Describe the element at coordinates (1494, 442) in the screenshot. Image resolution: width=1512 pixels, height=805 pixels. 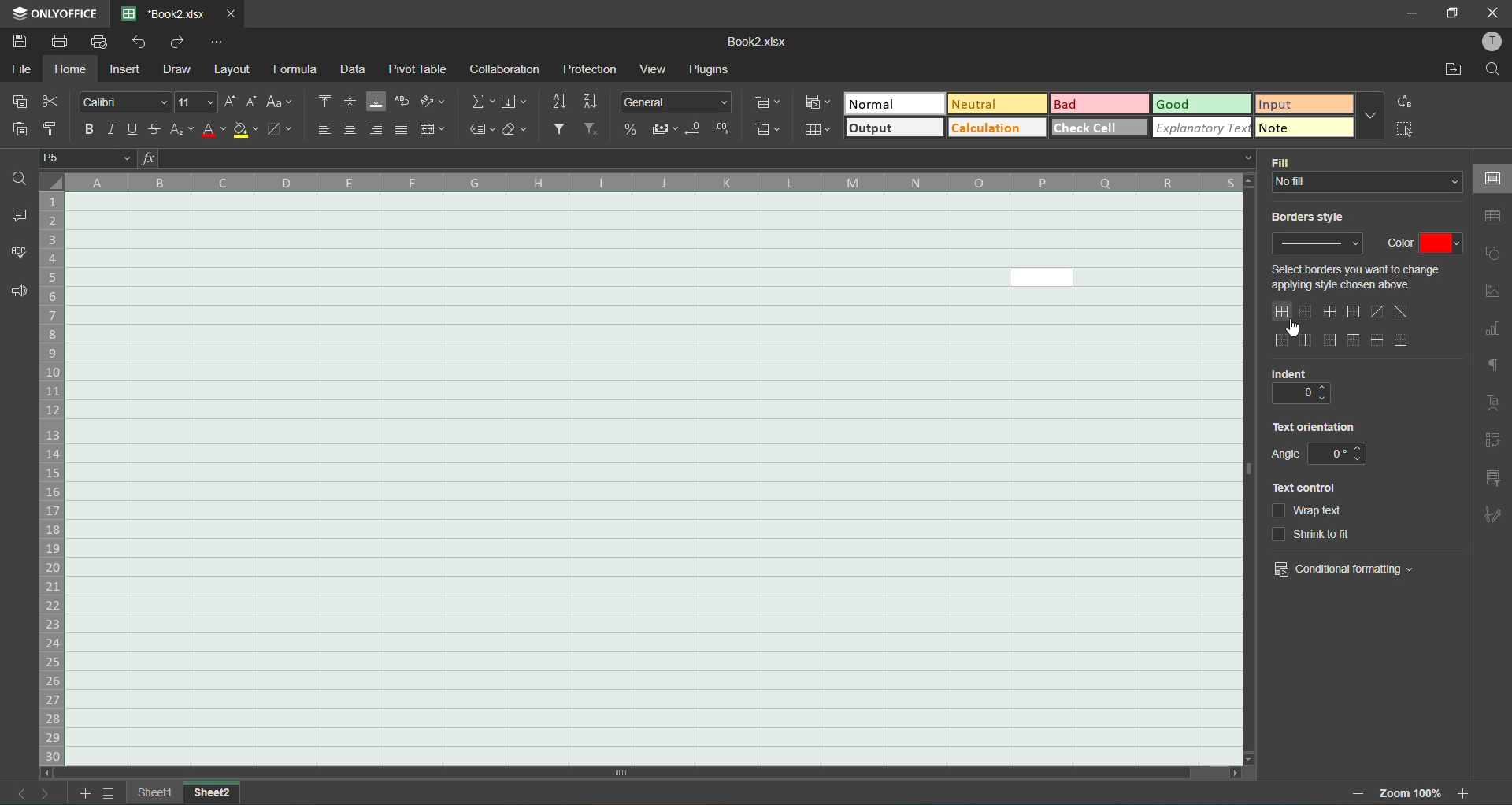
I see `pivot table` at that location.